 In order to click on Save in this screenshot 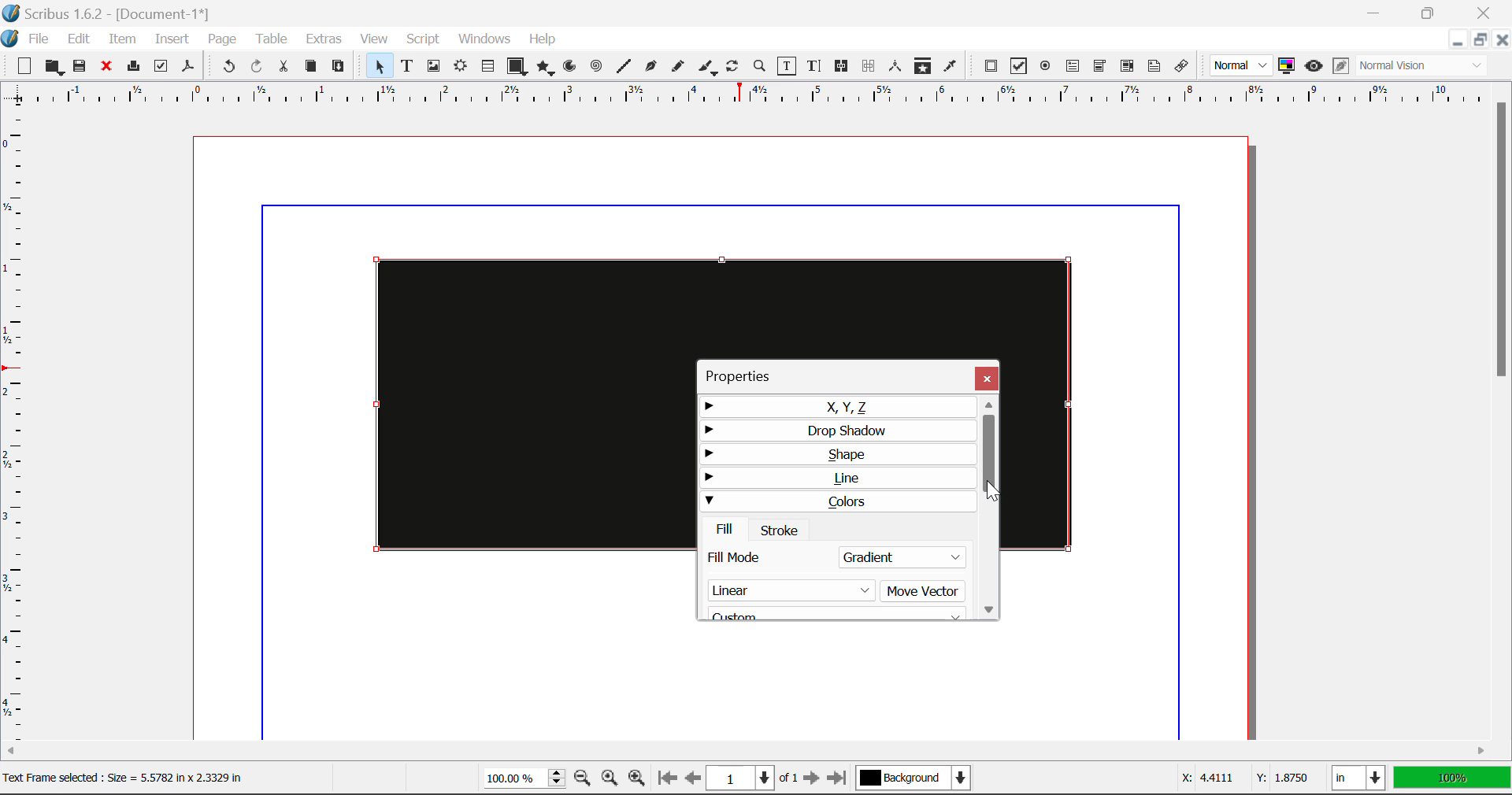, I will do `click(81, 67)`.